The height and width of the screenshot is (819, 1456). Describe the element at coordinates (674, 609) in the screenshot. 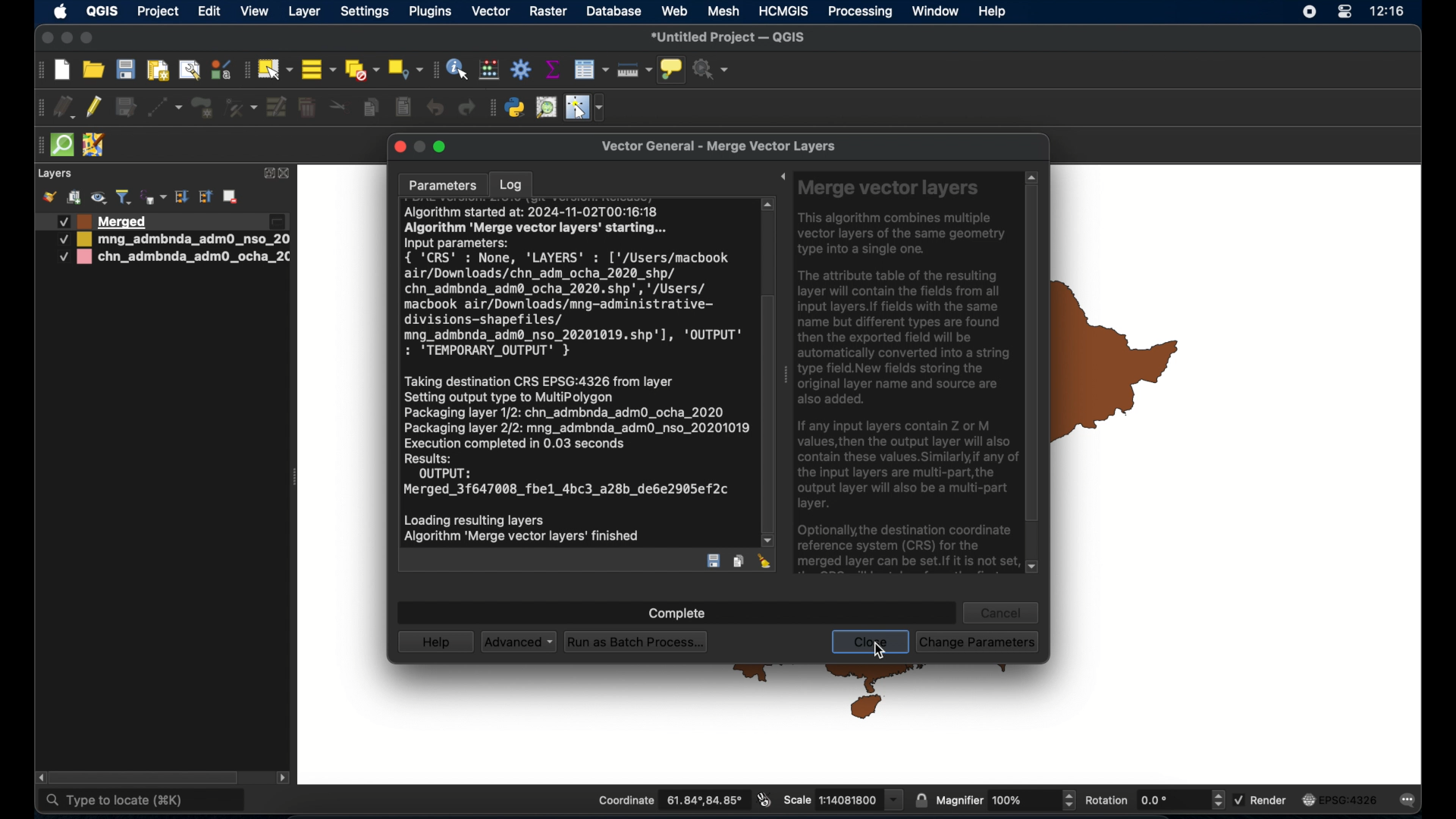

I see `0%` at that location.